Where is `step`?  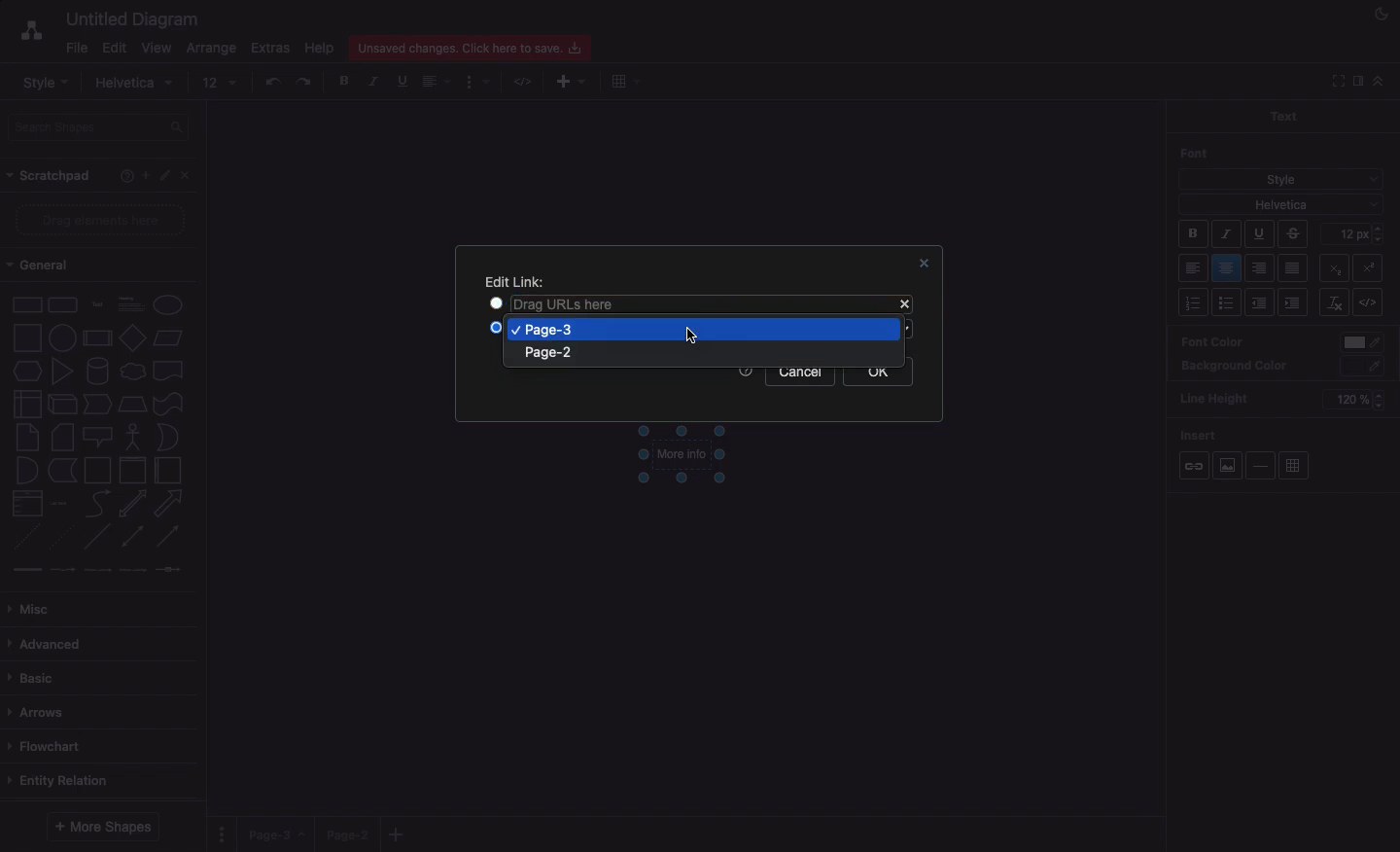 step is located at coordinates (97, 404).